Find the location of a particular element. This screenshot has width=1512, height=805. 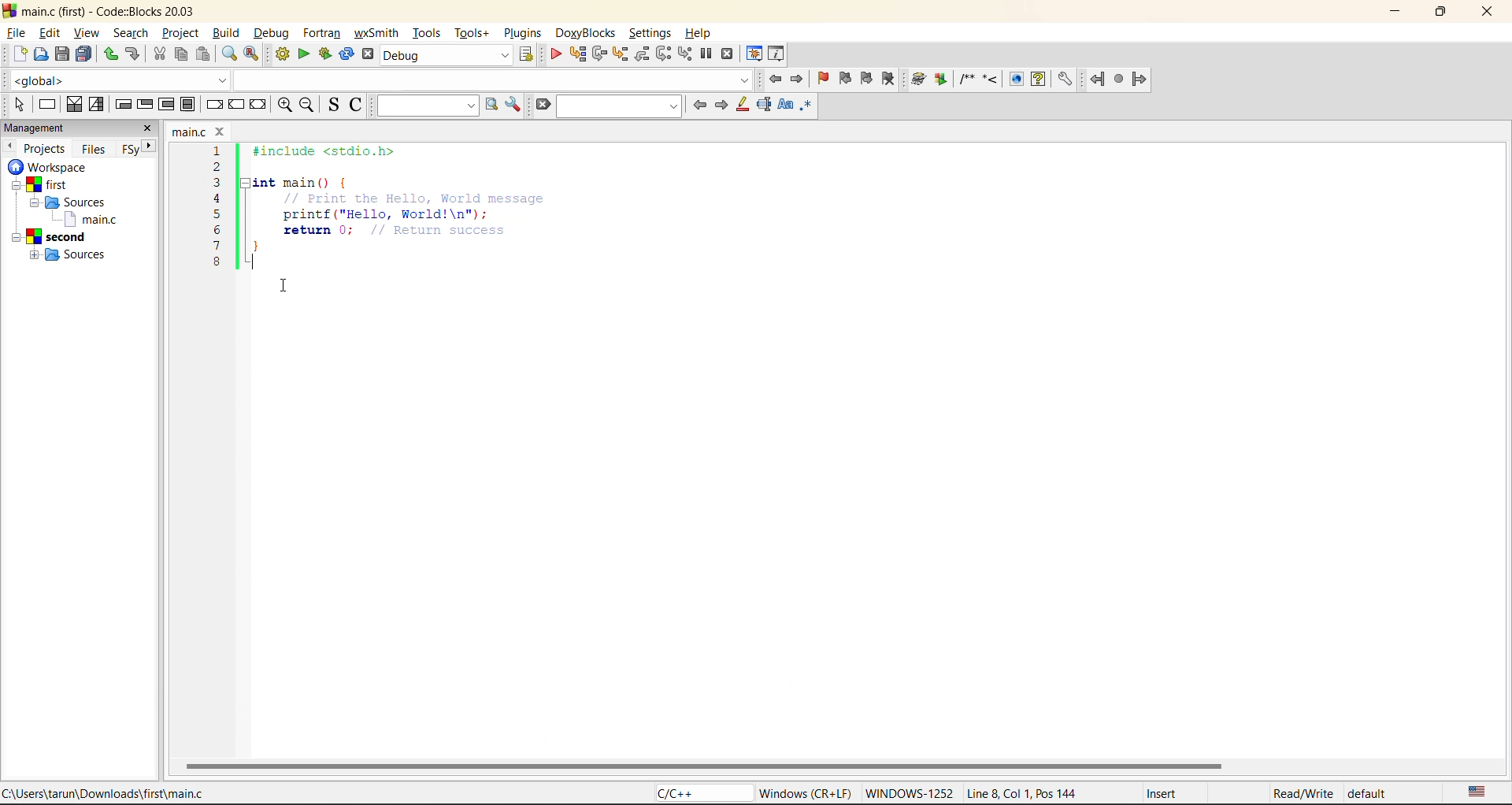

replace is located at coordinates (250, 54).